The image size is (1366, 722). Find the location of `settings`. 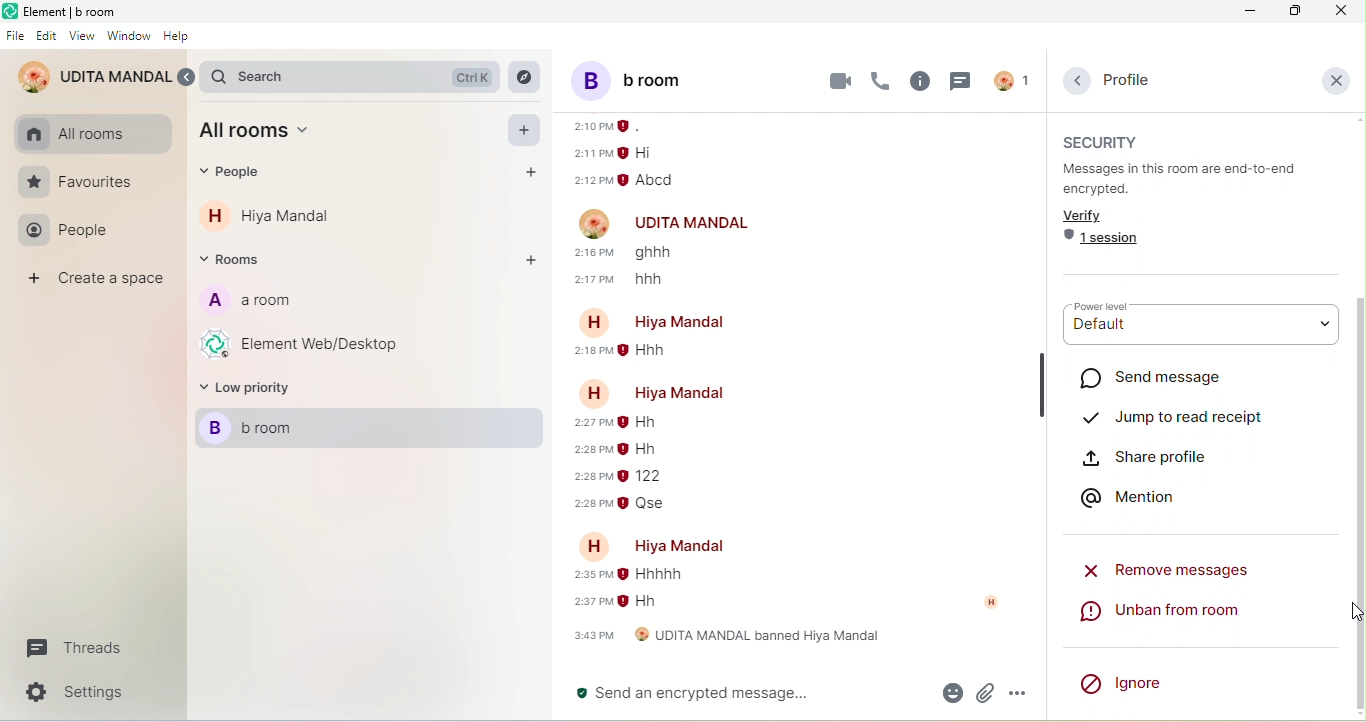

settings is located at coordinates (85, 692).